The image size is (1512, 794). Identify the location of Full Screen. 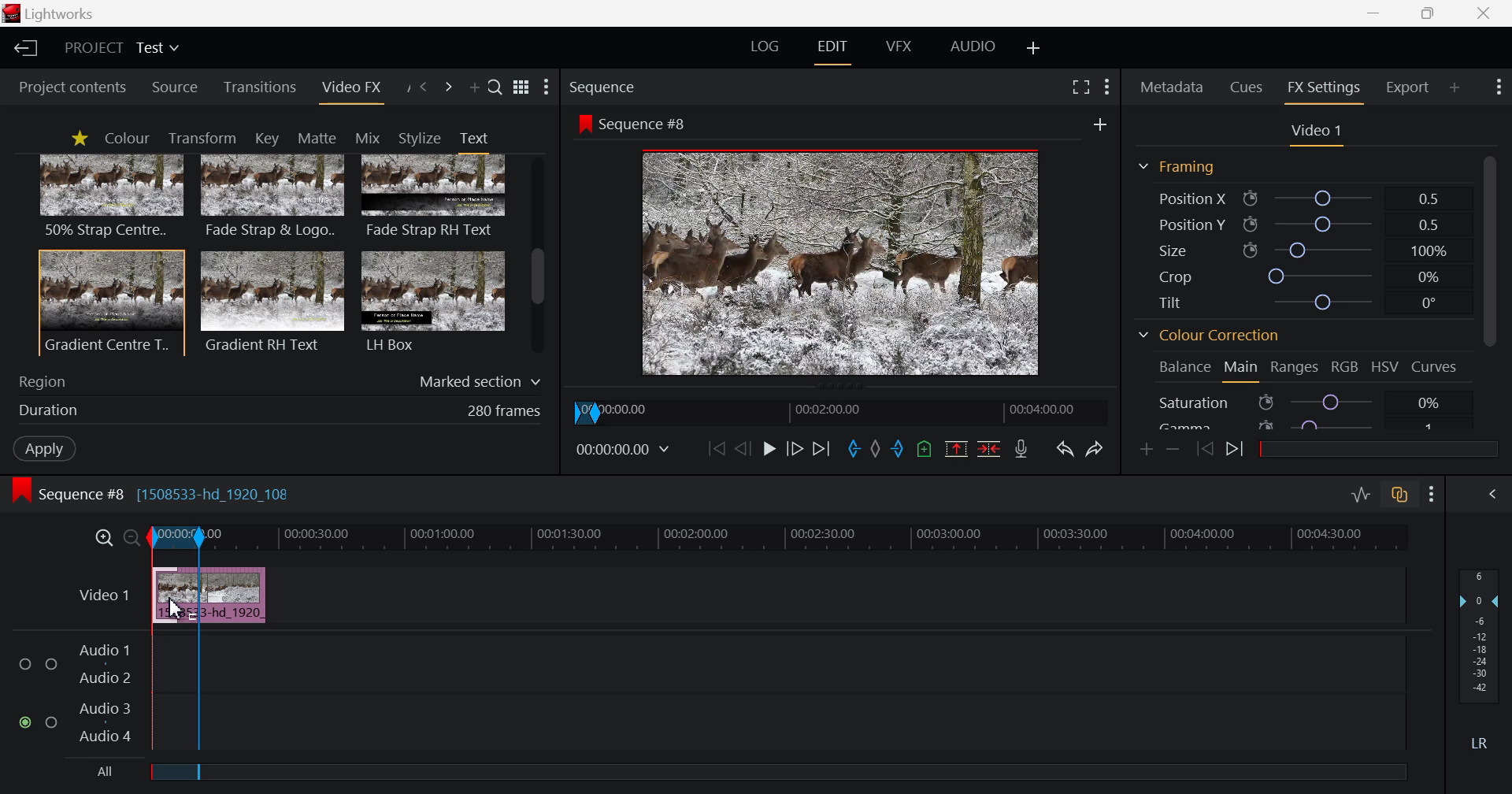
(1082, 87).